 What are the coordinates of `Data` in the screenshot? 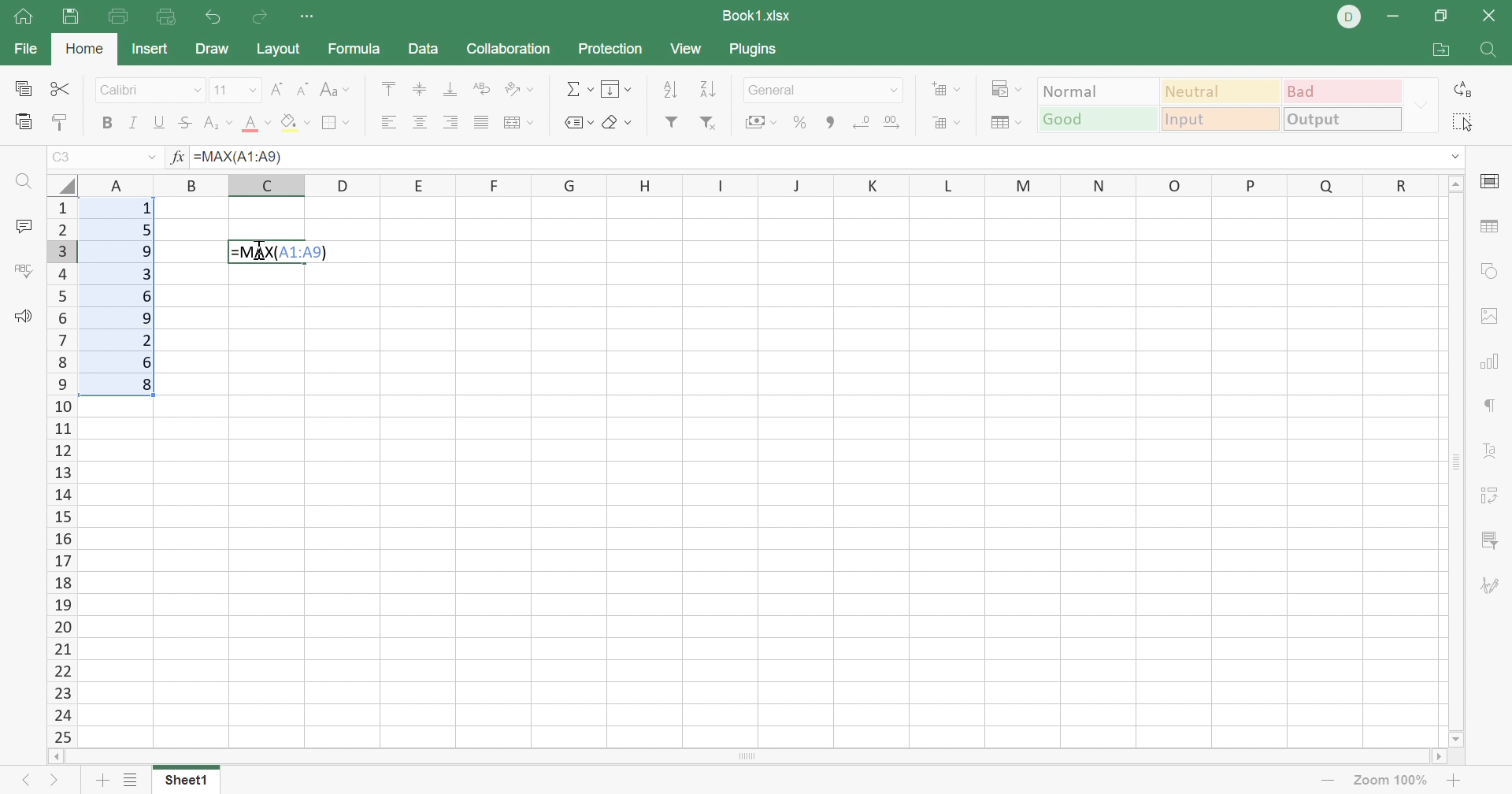 It's located at (422, 46).